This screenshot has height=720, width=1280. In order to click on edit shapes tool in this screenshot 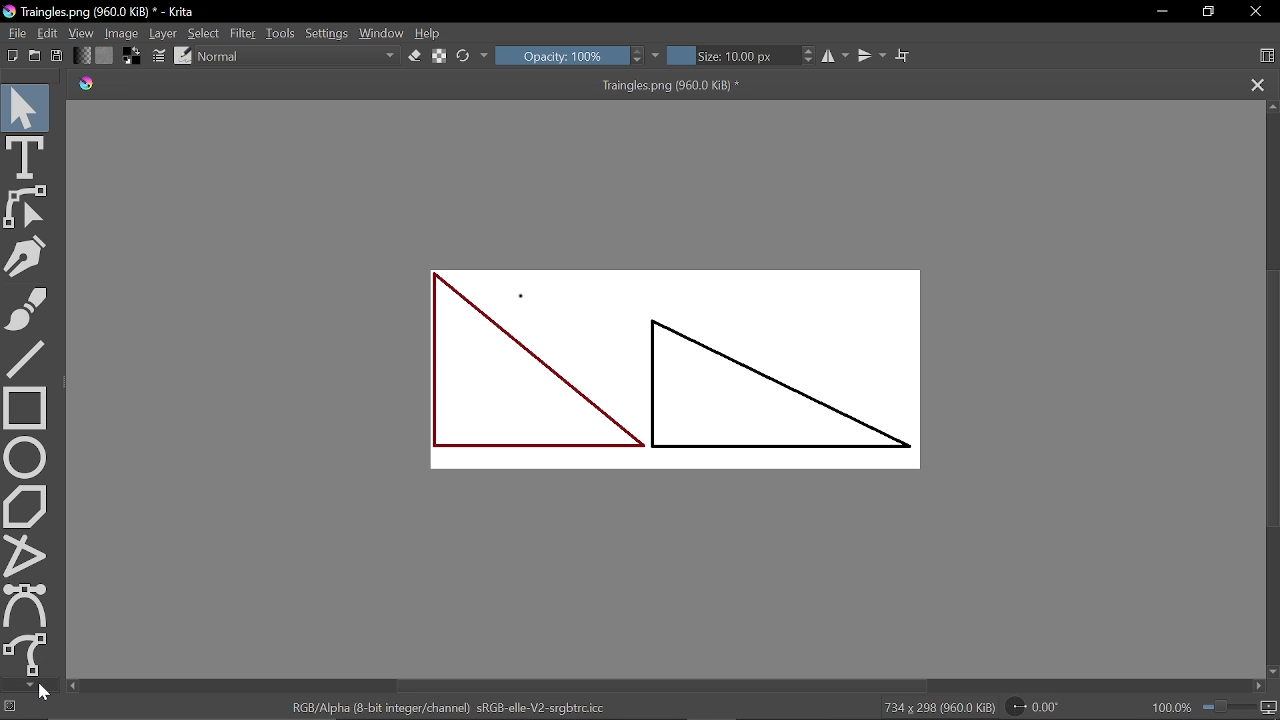, I will do `click(25, 207)`.